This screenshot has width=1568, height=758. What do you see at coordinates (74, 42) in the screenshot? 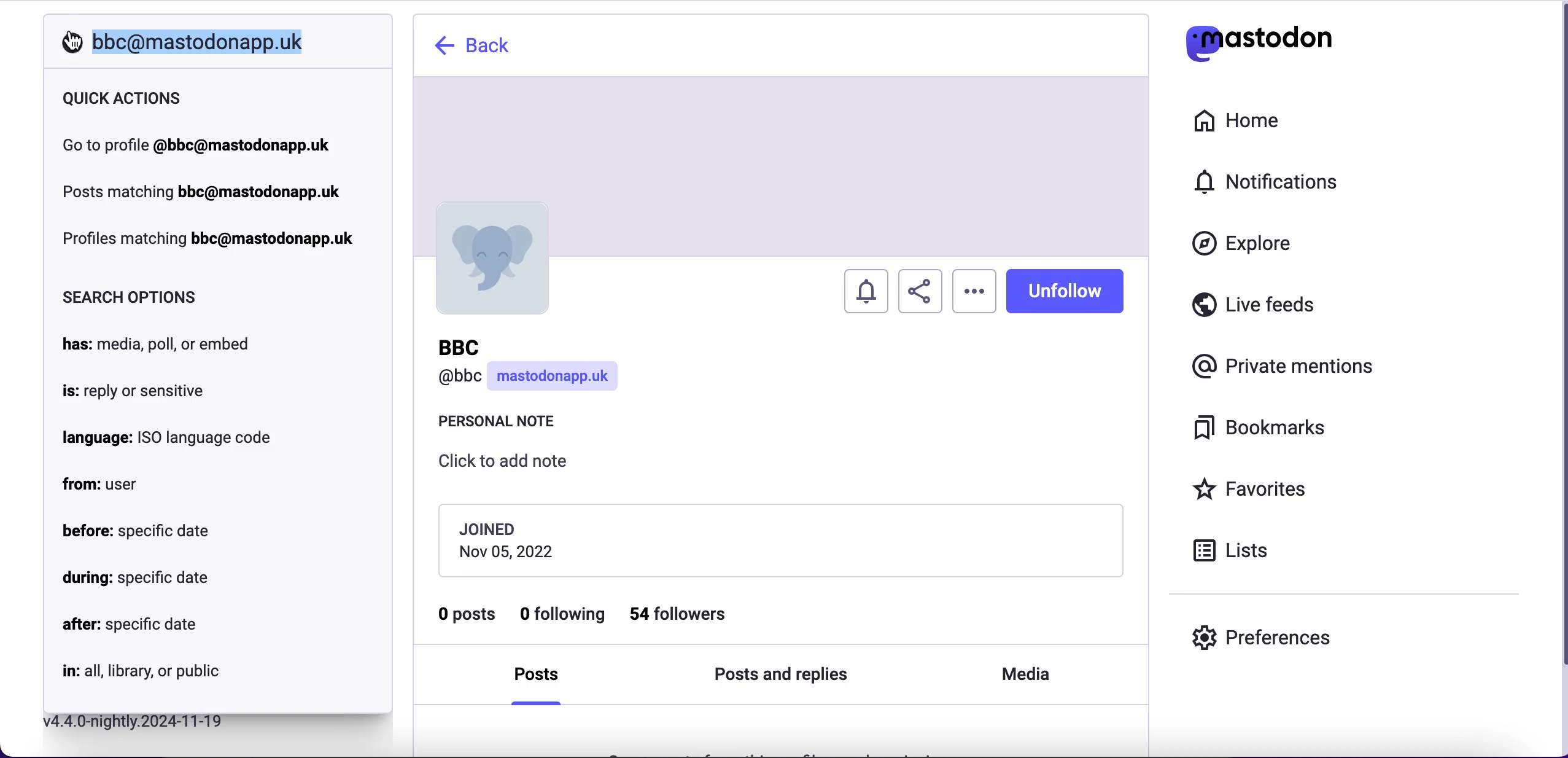
I see `cursor` at bounding box center [74, 42].